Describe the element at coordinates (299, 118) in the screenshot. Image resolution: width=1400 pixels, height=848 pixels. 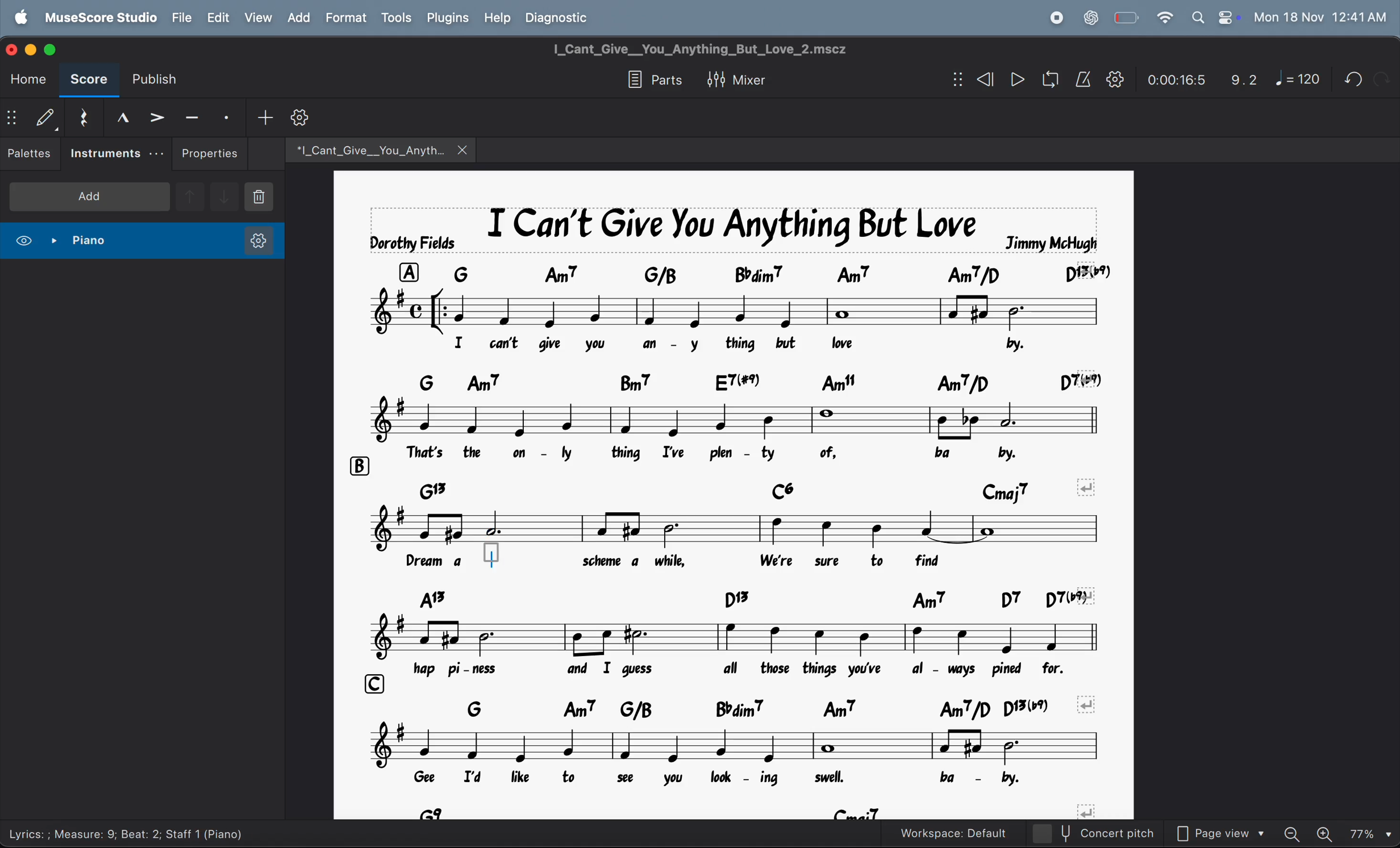
I see `customize toobar` at that location.